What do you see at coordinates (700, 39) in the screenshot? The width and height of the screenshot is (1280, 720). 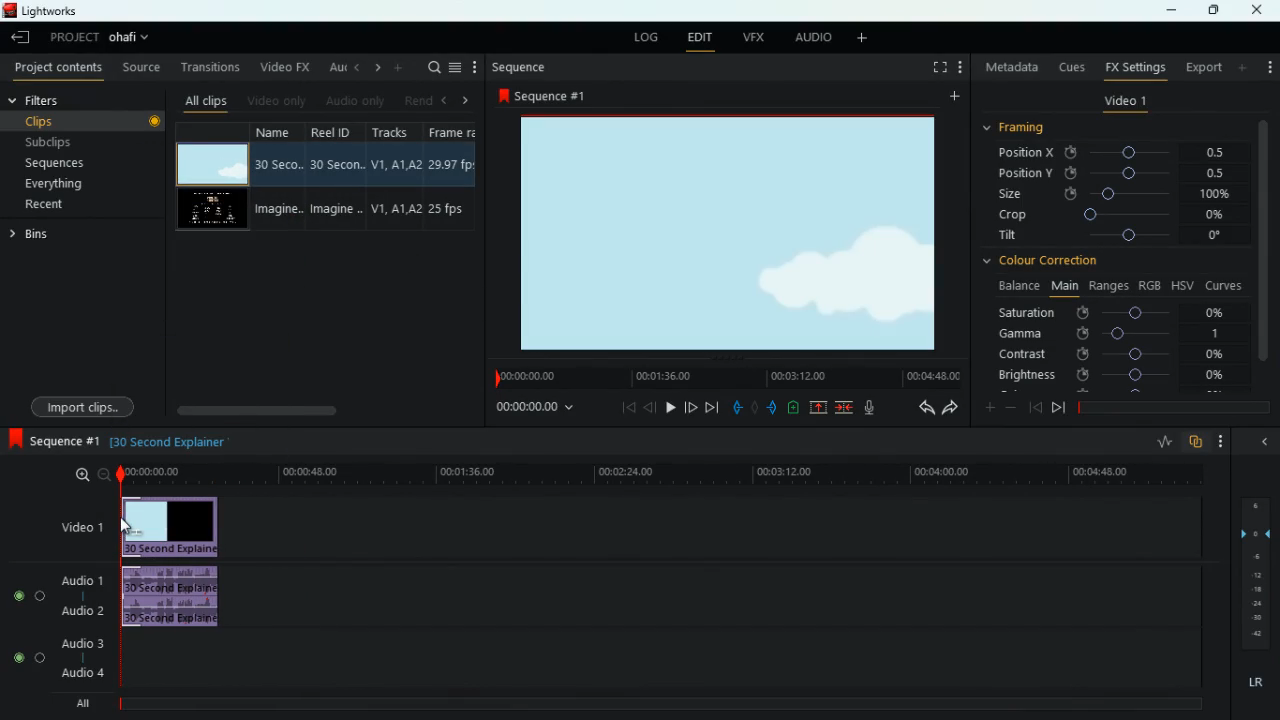 I see `edit` at bounding box center [700, 39].